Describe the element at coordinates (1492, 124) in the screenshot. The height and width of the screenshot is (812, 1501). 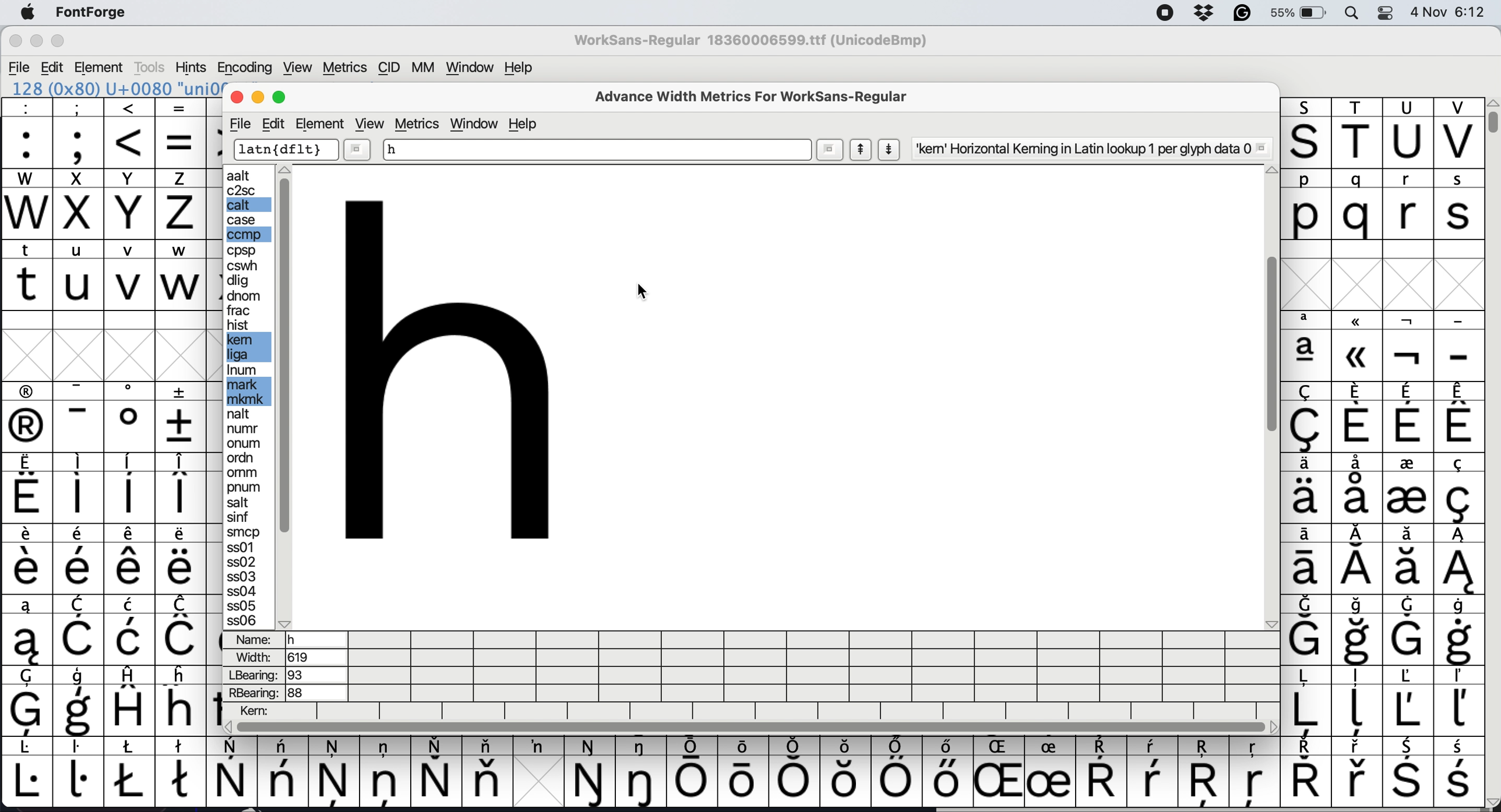
I see `vertical scroll` at that location.